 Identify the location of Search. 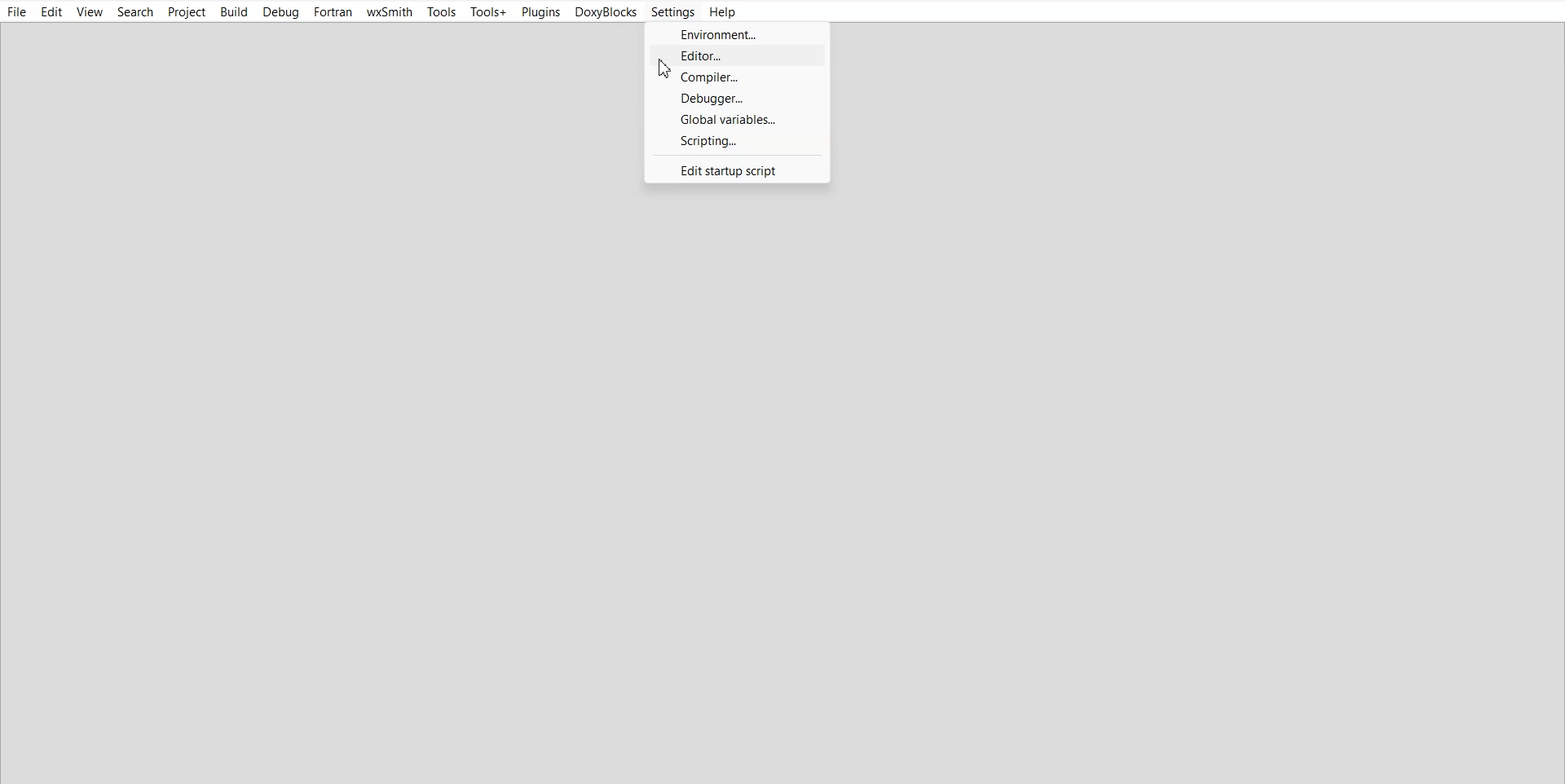
(135, 12).